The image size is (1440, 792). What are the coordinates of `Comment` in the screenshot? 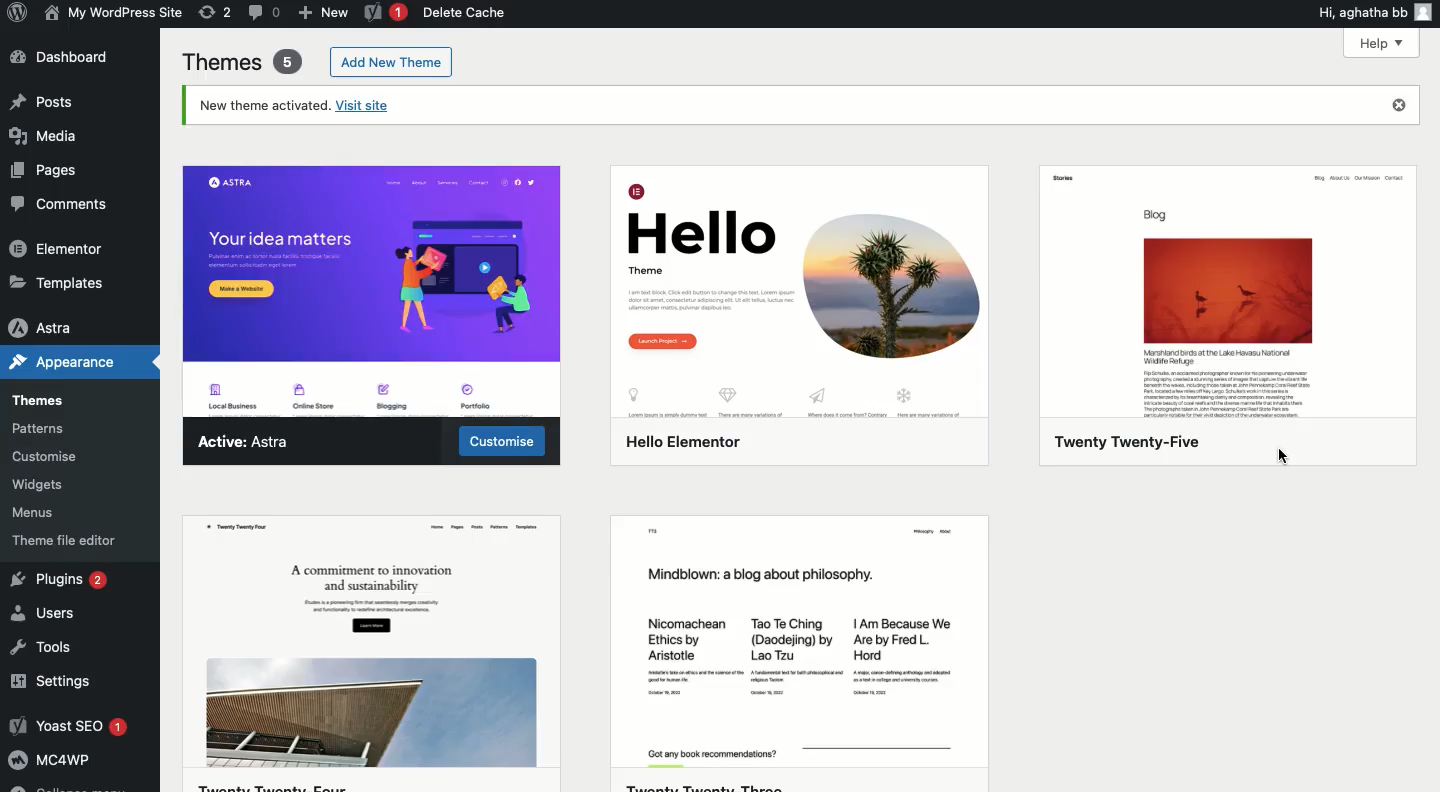 It's located at (60, 208).